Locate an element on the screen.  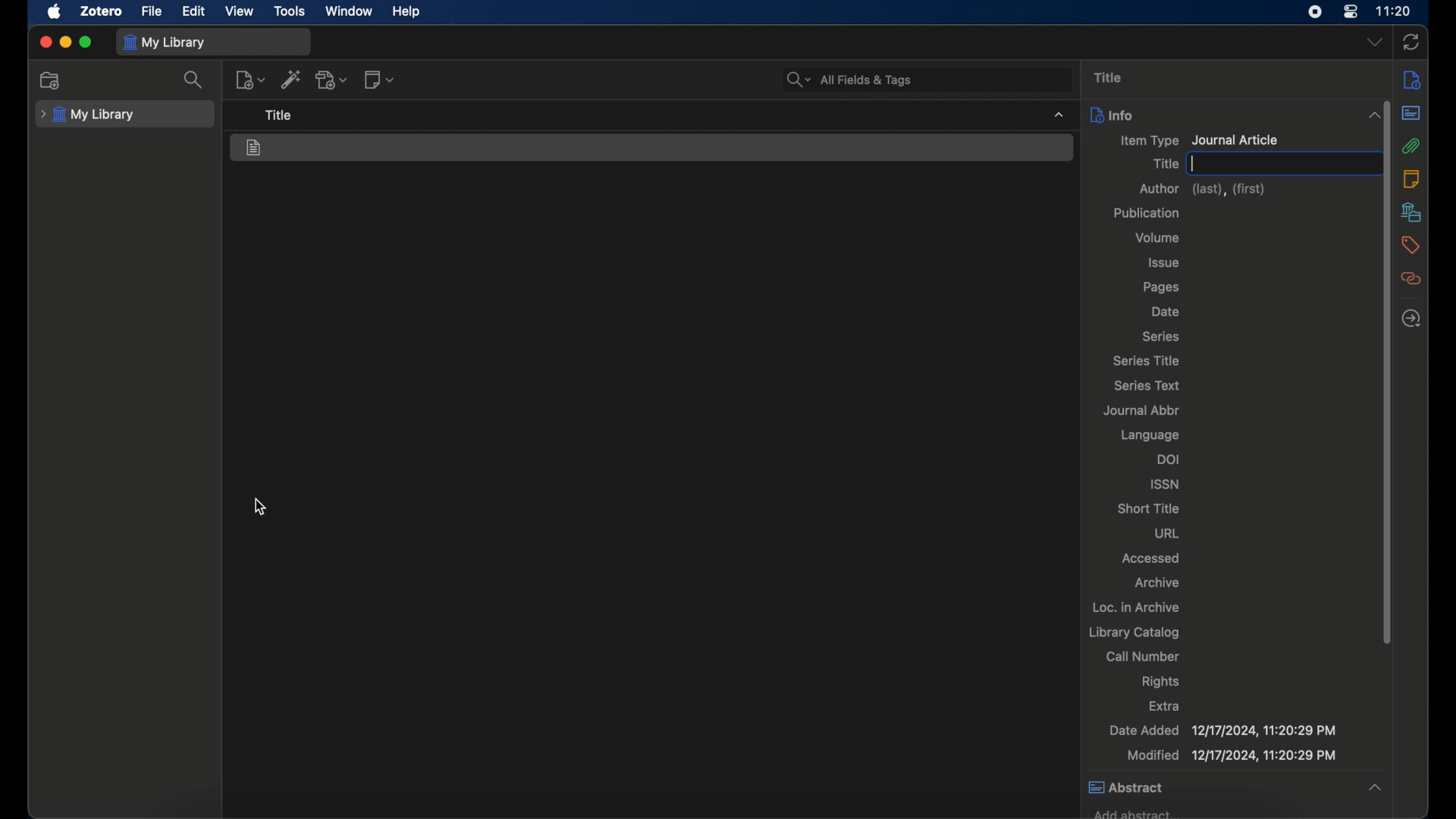
series title is located at coordinates (1147, 362).